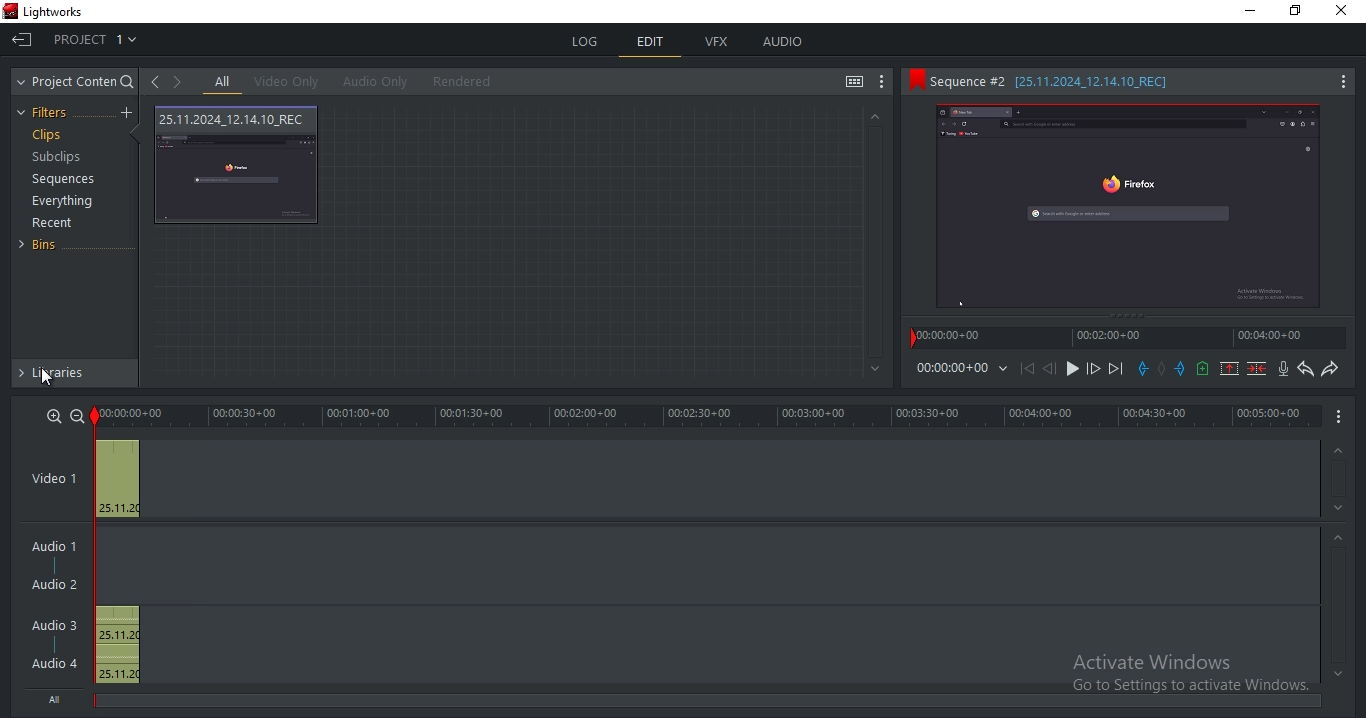  What do you see at coordinates (721, 43) in the screenshot?
I see `vfx` at bounding box center [721, 43].